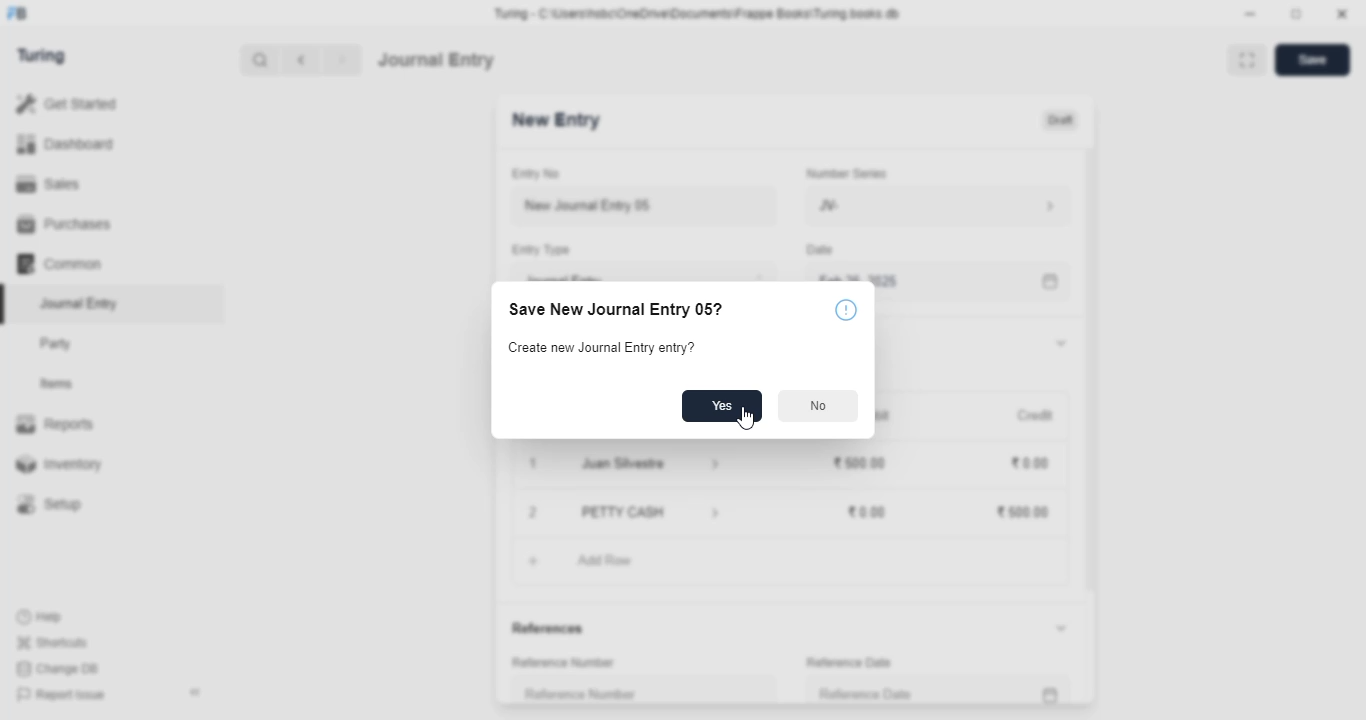  I want to click on new journal entry 05, so click(645, 207).